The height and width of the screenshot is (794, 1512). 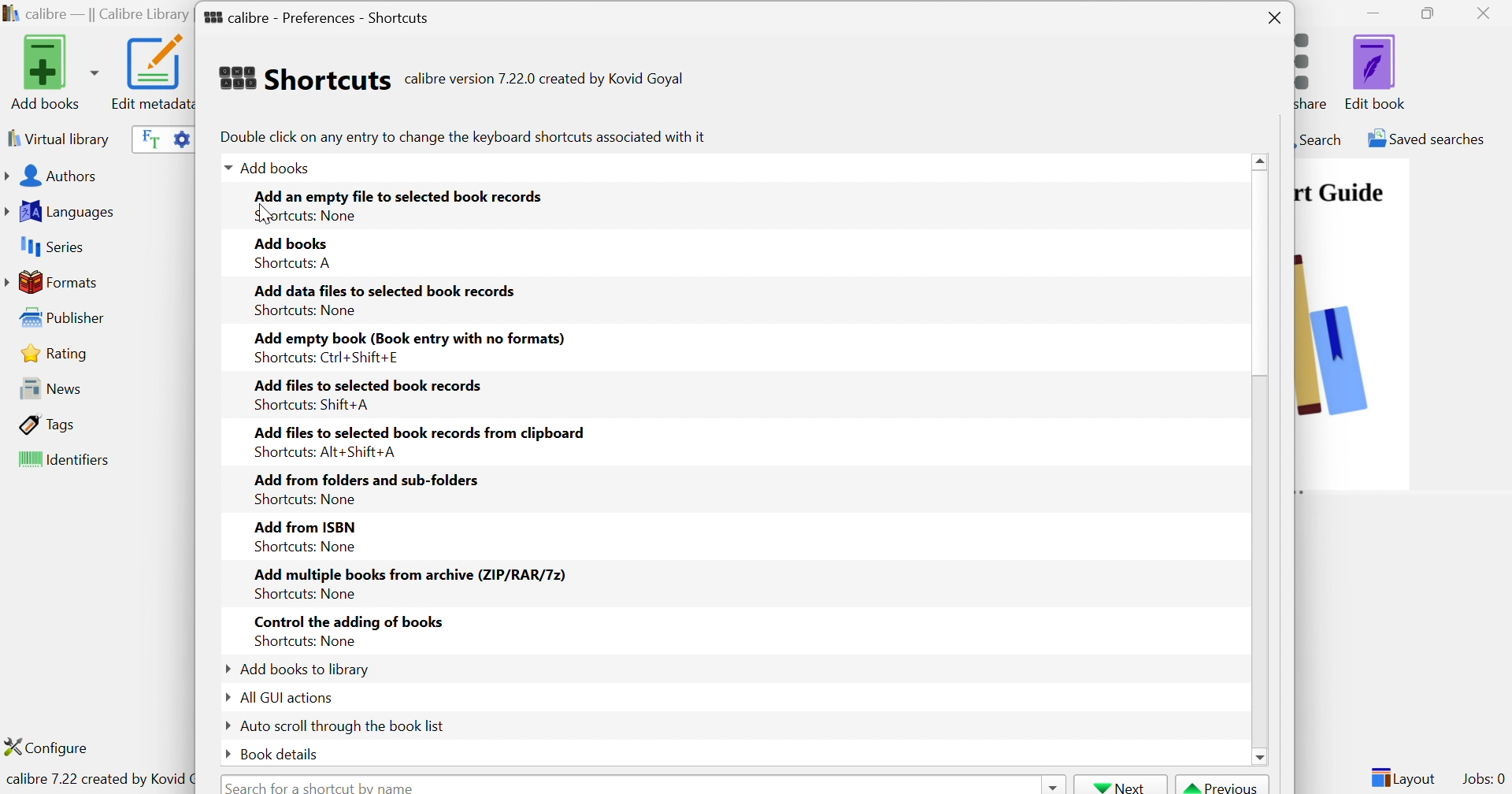 What do you see at coordinates (317, 14) in the screenshot?
I see `calibre - Preferences - Shortcuts` at bounding box center [317, 14].